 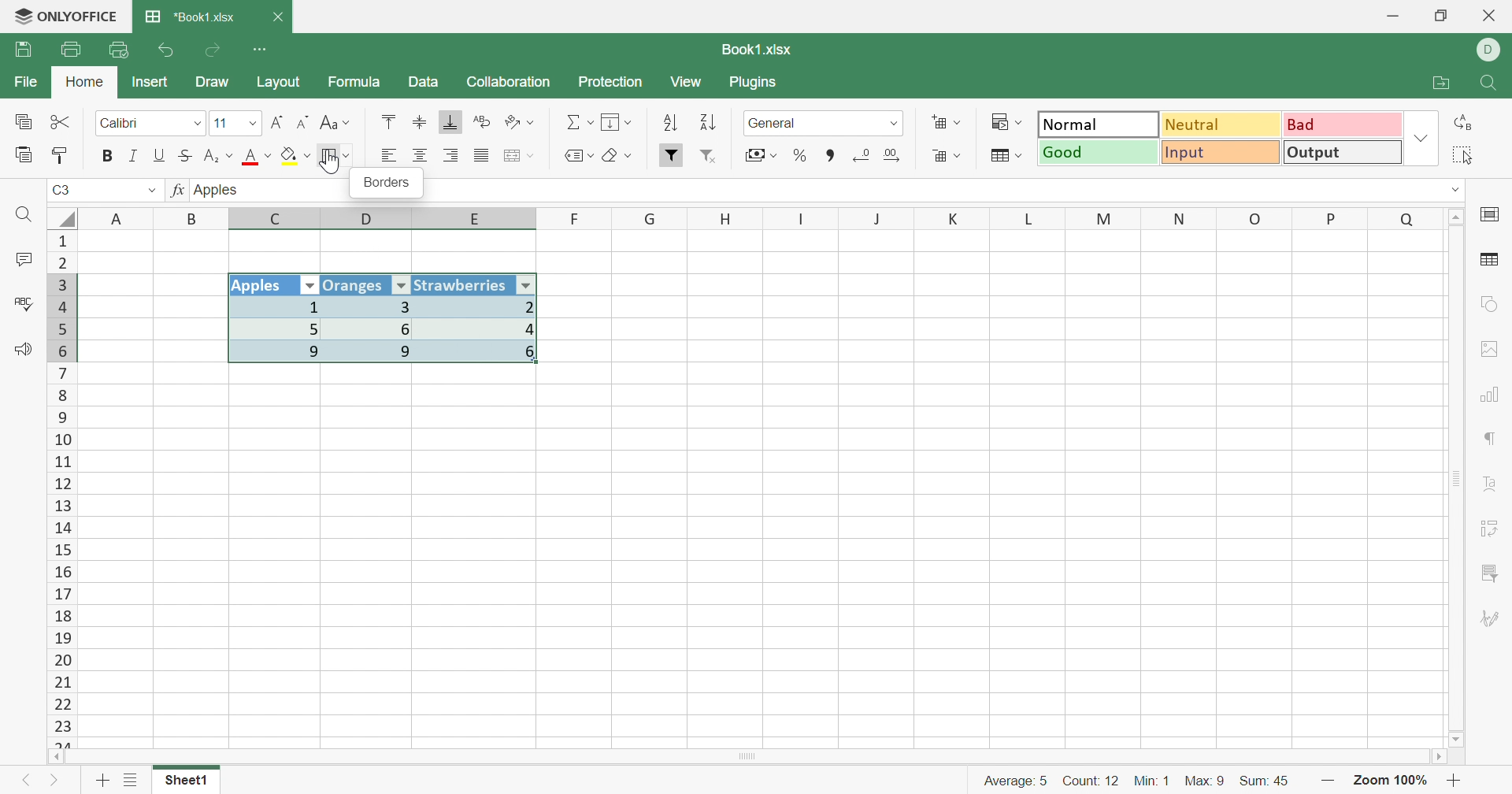 I want to click on Drop Down, so click(x=250, y=125).